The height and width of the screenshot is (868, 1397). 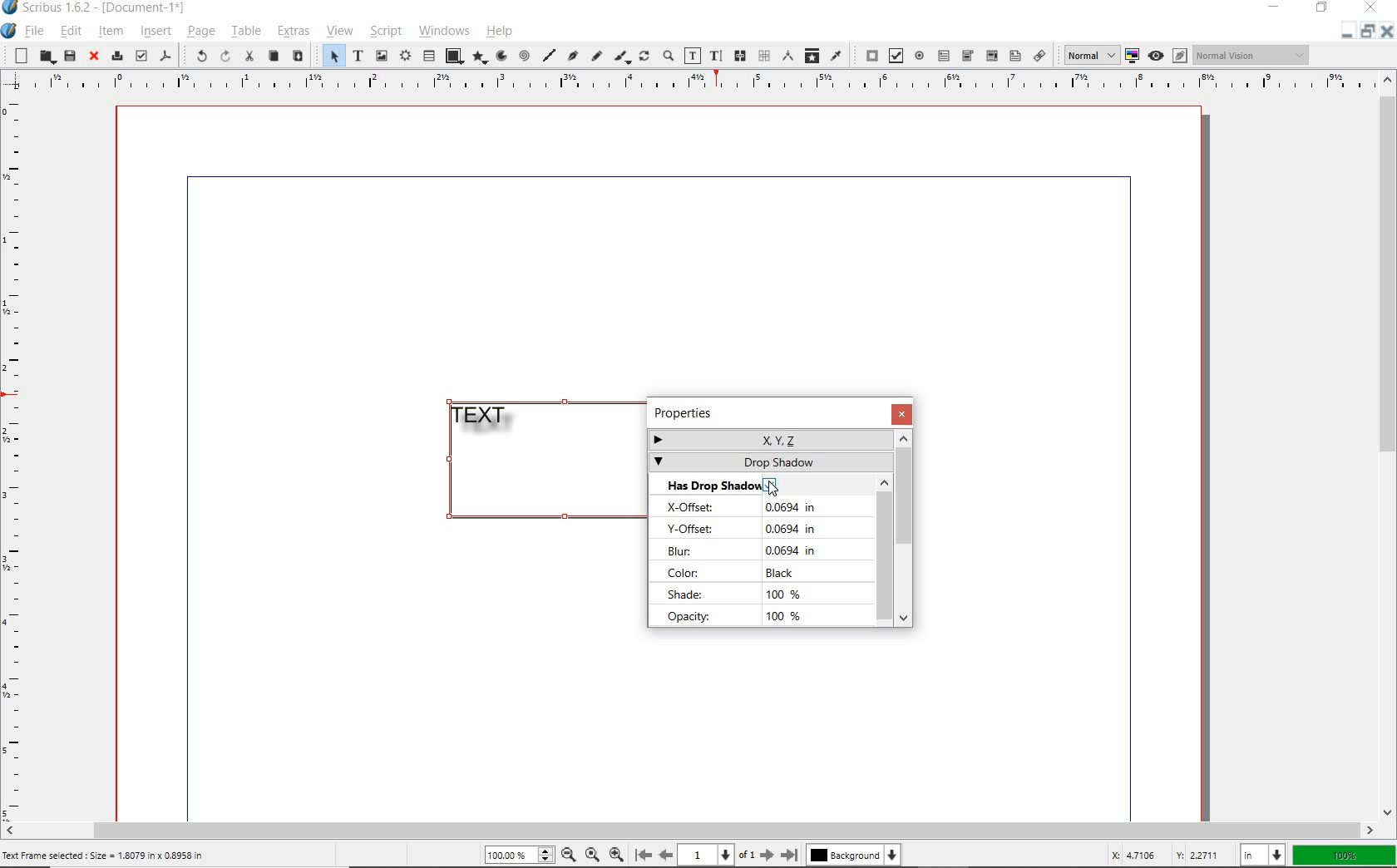 I want to click on open, so click(x=45, y=57).